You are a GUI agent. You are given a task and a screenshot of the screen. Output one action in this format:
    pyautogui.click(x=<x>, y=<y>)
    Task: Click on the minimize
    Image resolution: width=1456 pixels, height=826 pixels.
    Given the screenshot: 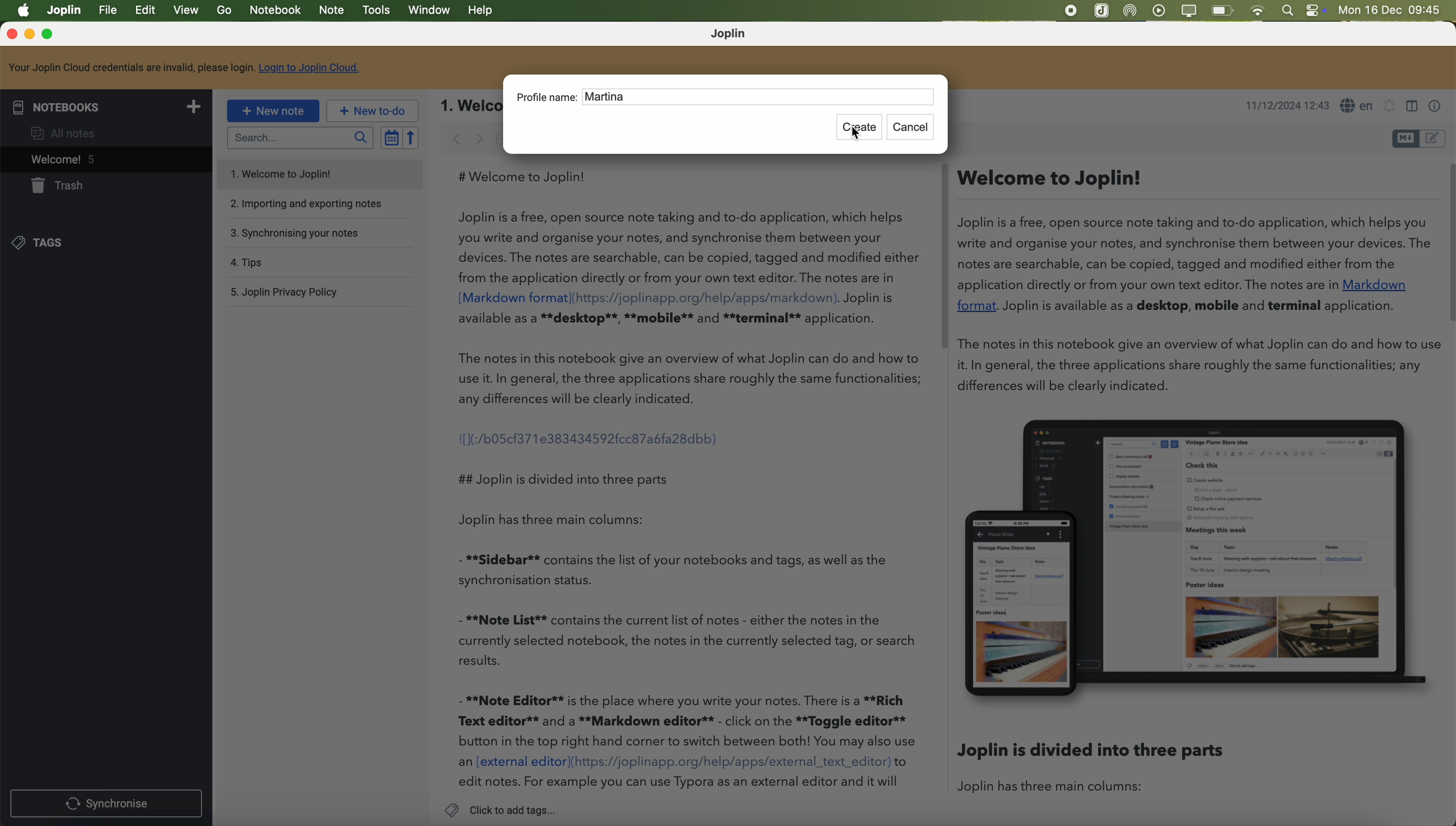 What is the action you would take?
    pyautogui.click(x=30, y=35)
    